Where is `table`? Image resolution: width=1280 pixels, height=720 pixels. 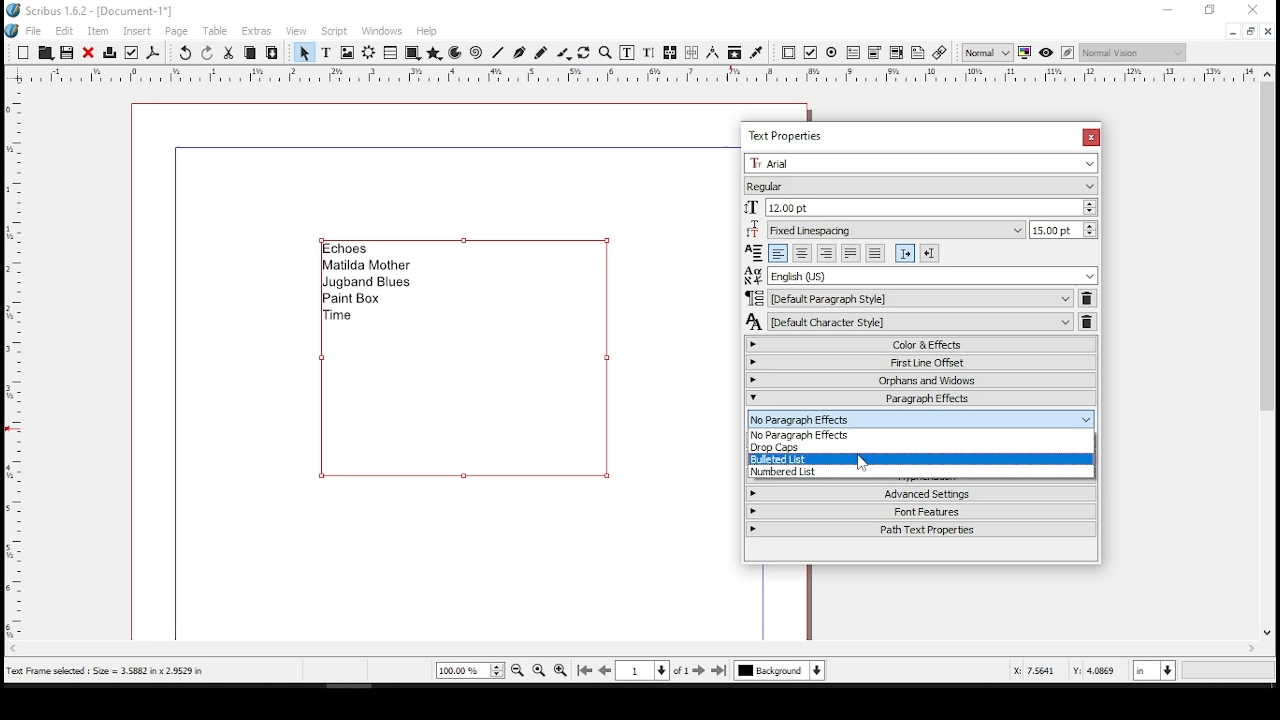 table is located at coordinates (390, 53).